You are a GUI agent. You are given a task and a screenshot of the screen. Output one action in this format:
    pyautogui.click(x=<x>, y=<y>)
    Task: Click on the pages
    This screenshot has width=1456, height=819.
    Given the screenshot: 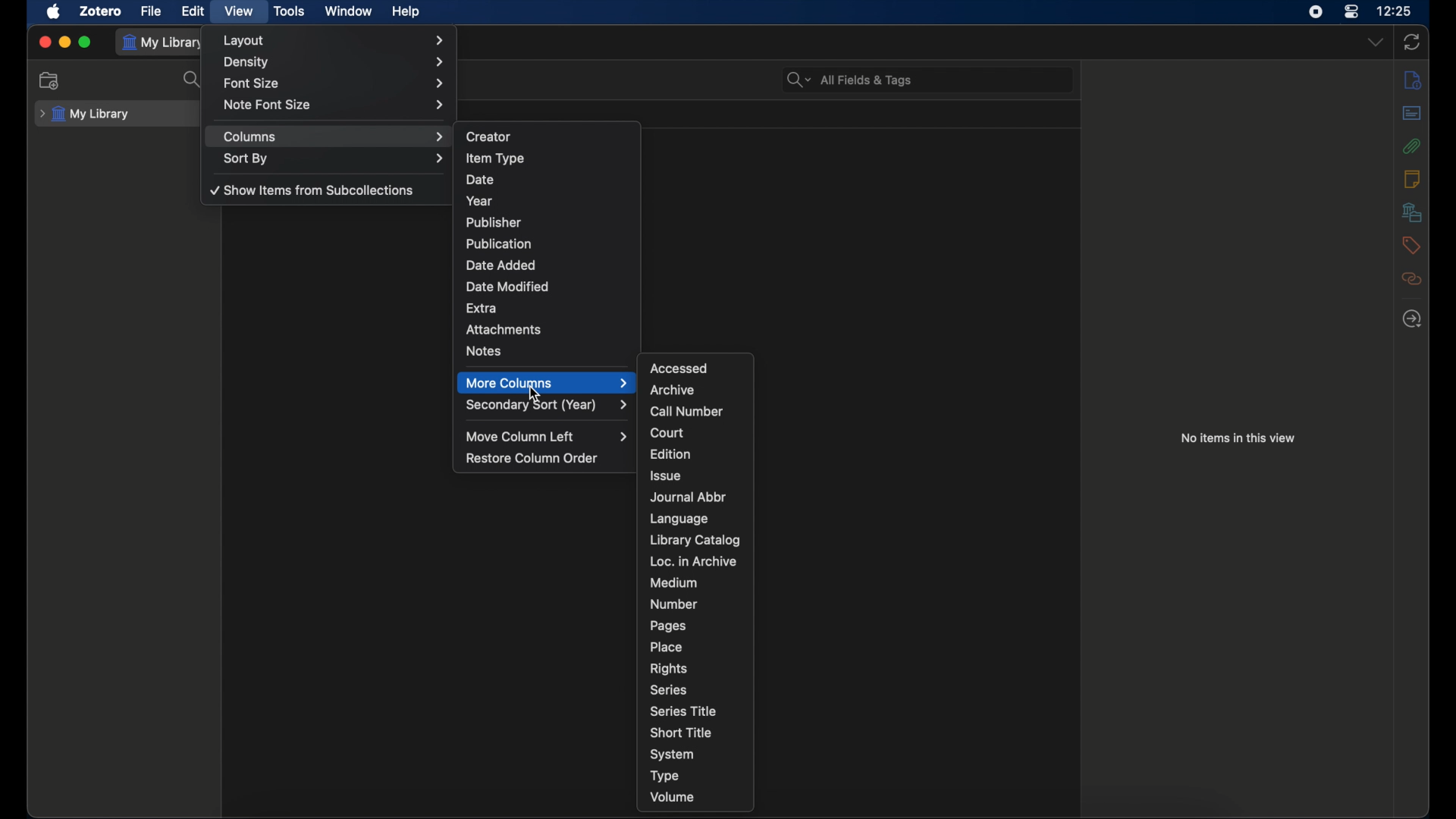 What is the action you would take?
    pyautogui.click(x=667, y=626)
    